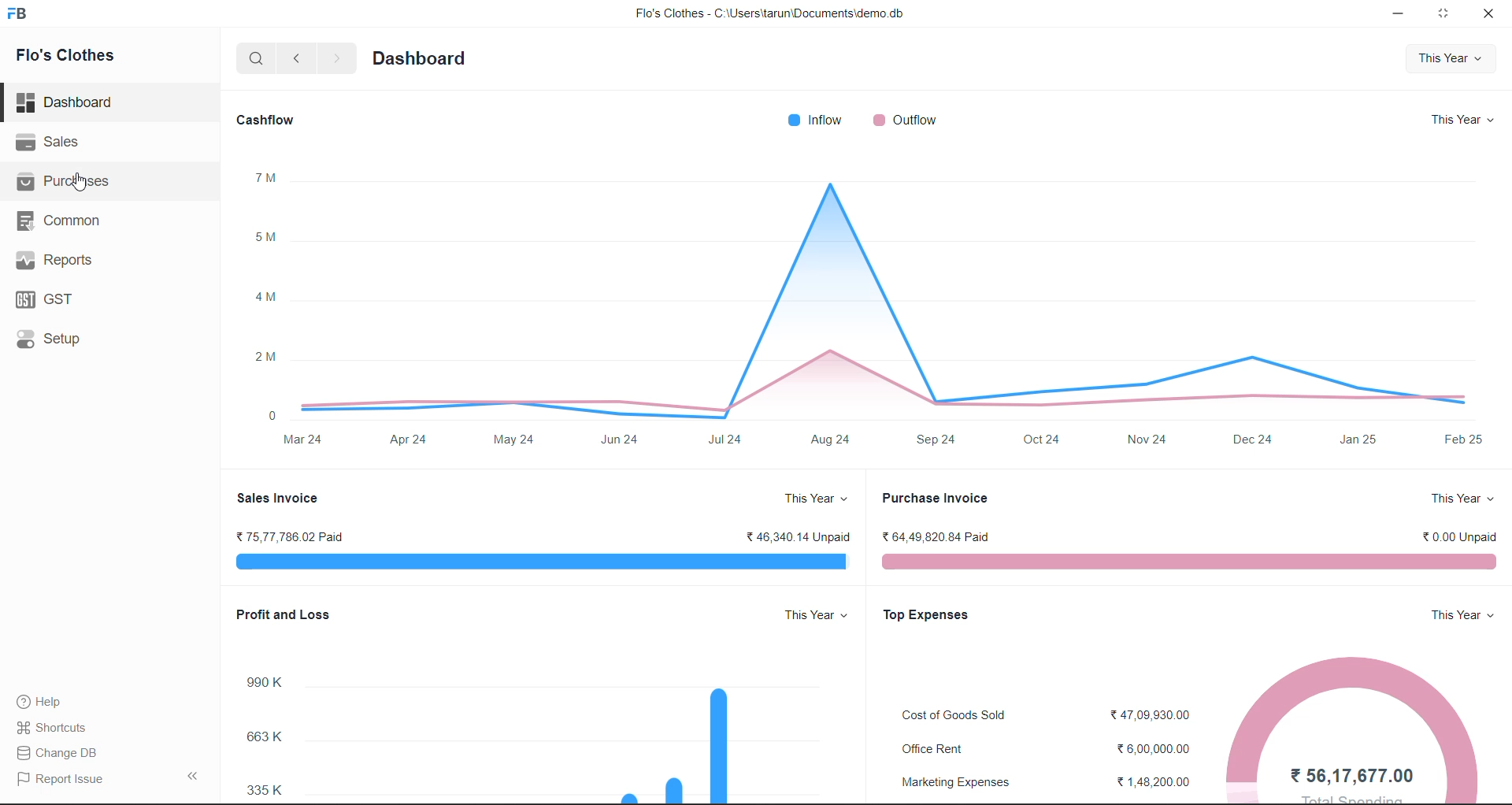 The image size is (1512, 805). I want to click on  Help, so click(53, 699).